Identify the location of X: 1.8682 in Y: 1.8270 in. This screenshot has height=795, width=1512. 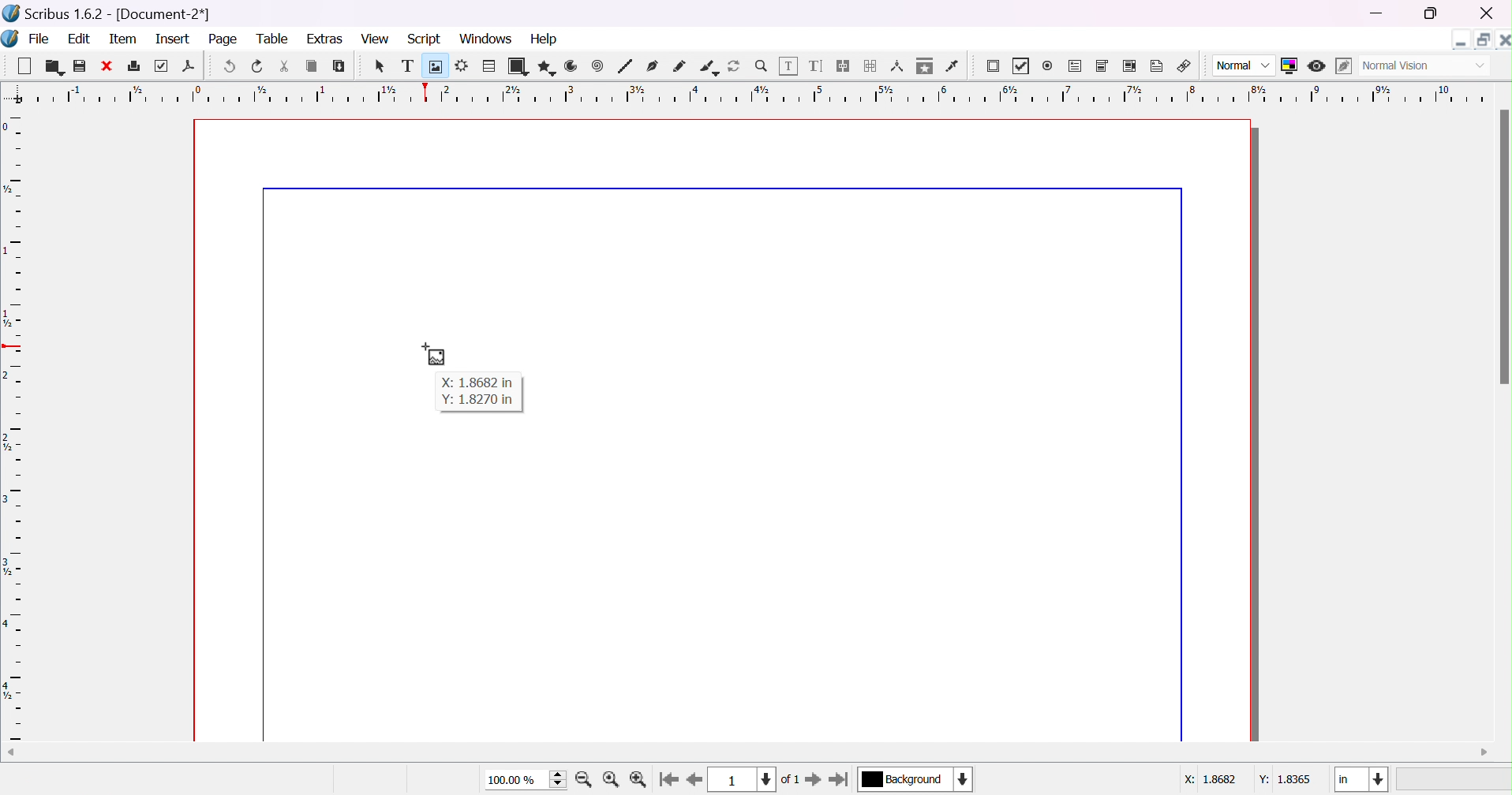
(478, 393).